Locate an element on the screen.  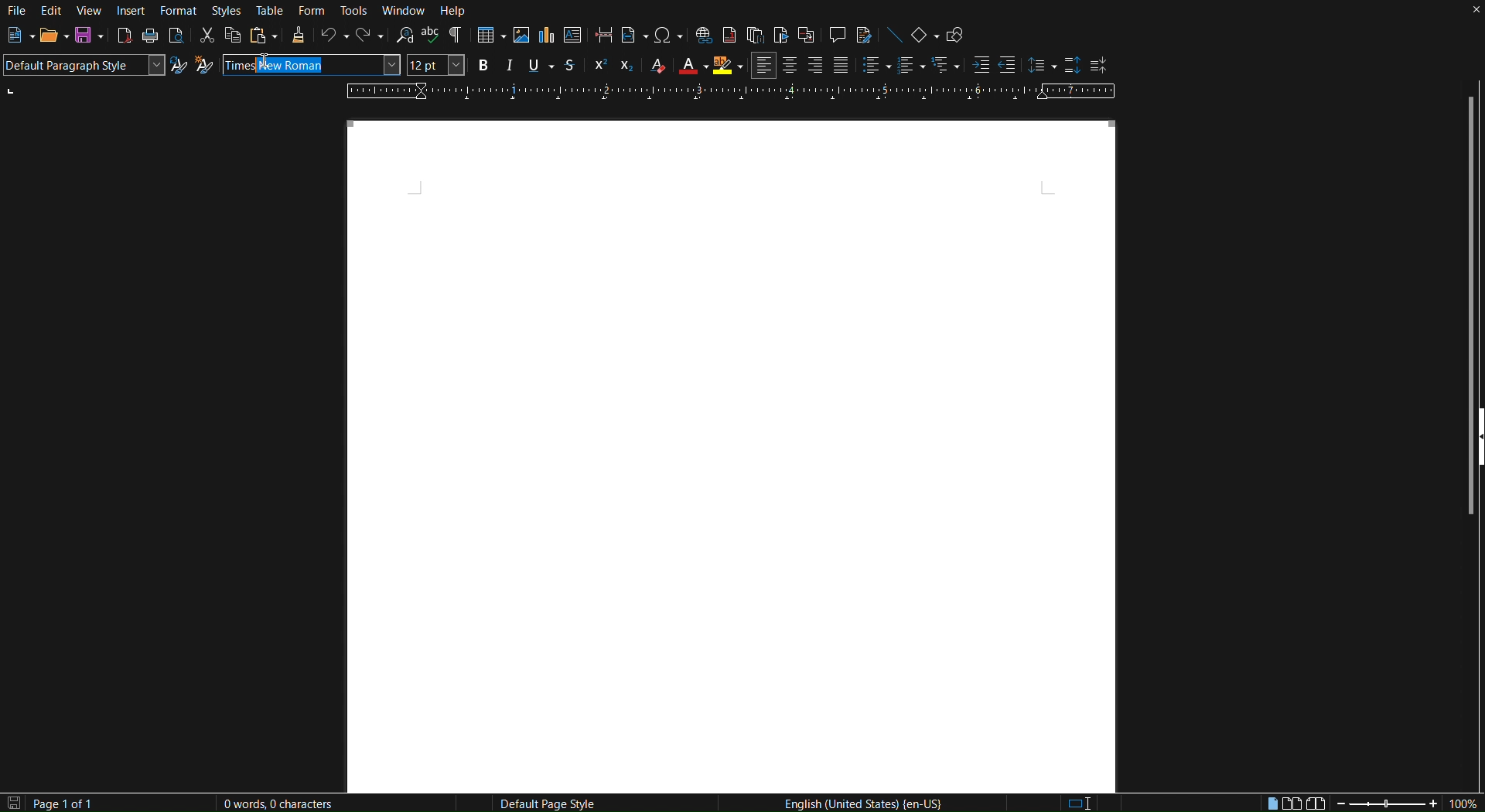
Highlight Color is located at coordinates (727, 67).